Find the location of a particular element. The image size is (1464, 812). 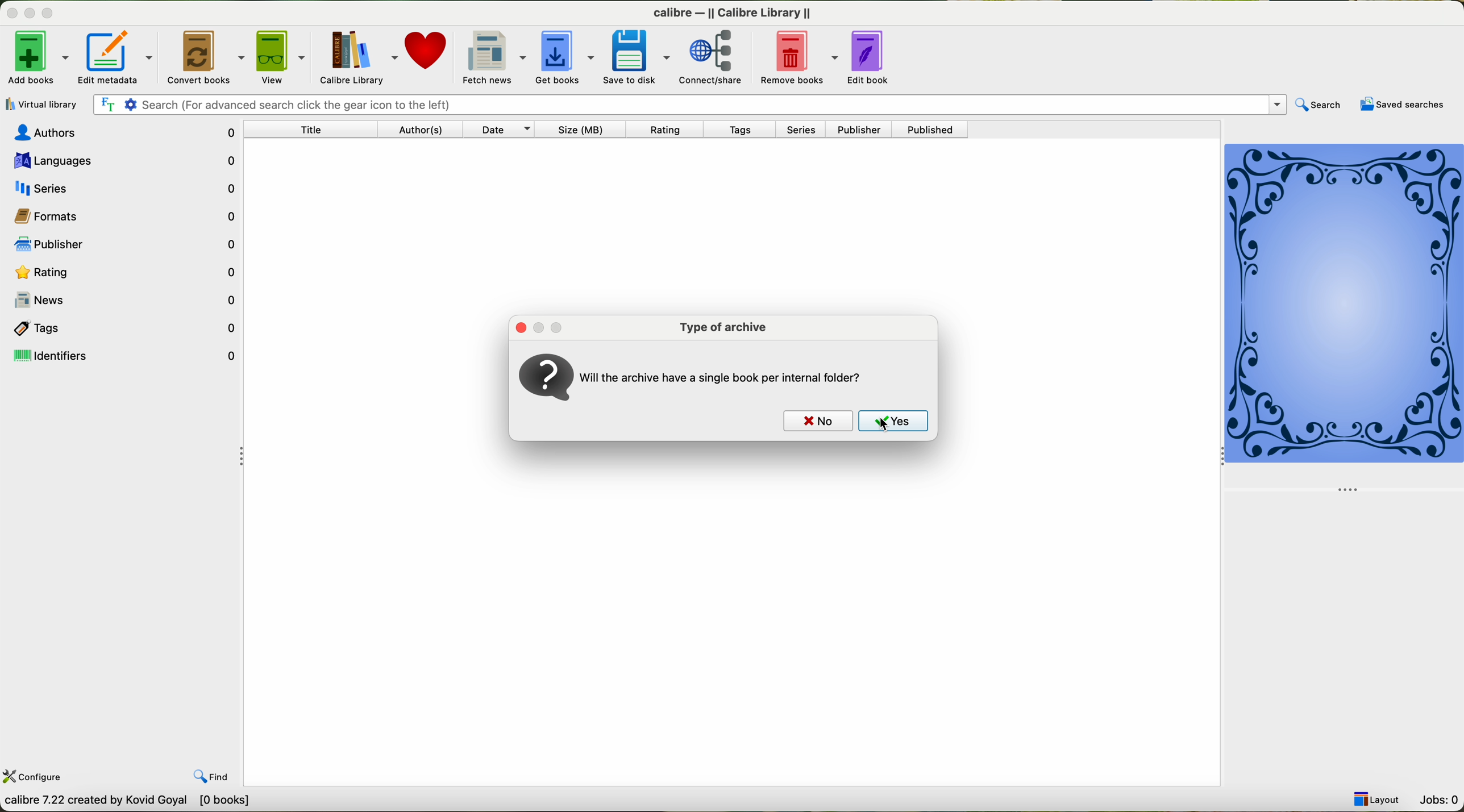

get books is located at coordinates (564, 56).